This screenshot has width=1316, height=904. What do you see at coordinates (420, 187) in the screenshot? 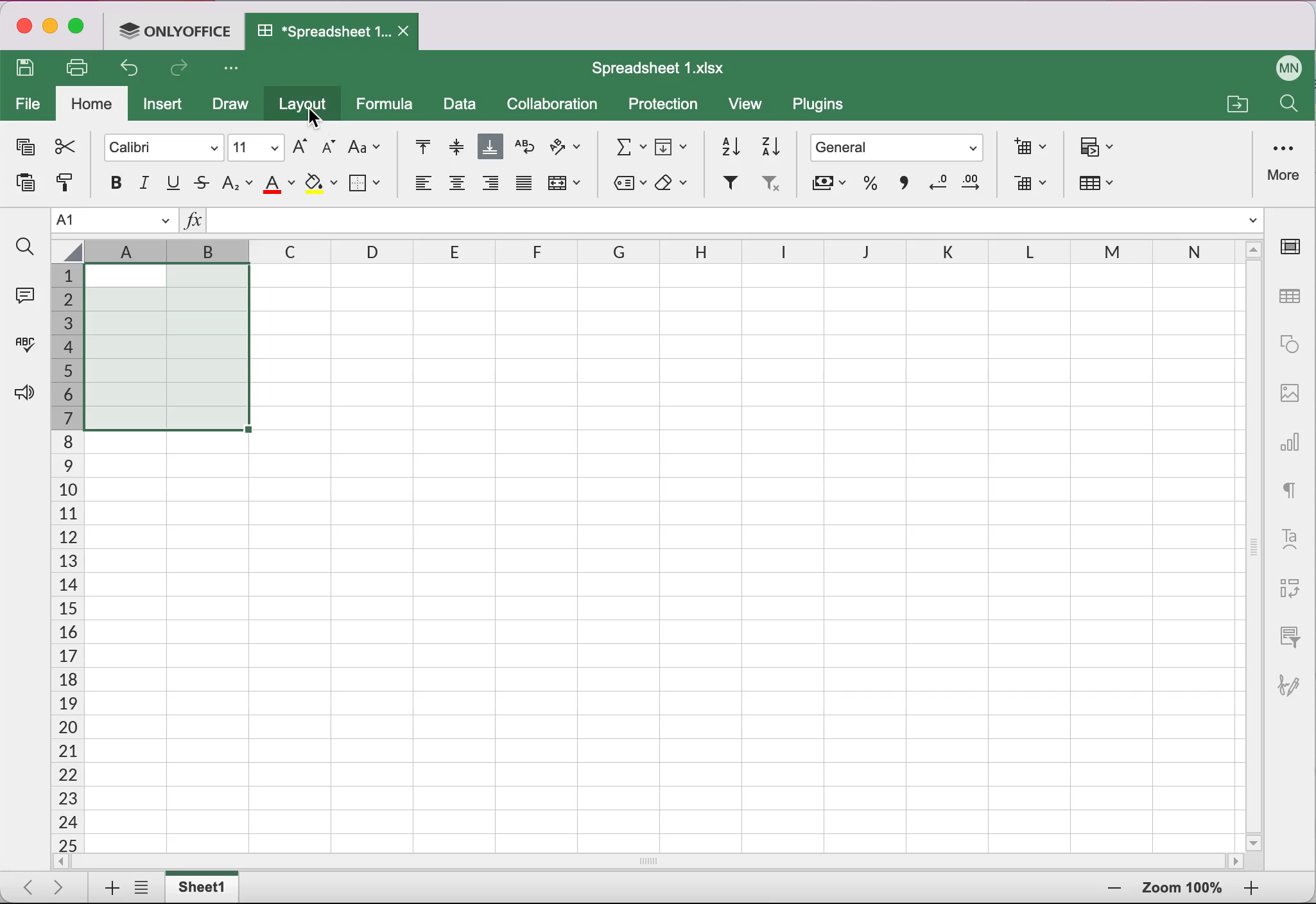
I see `align left` at bounding box center [420, 187].